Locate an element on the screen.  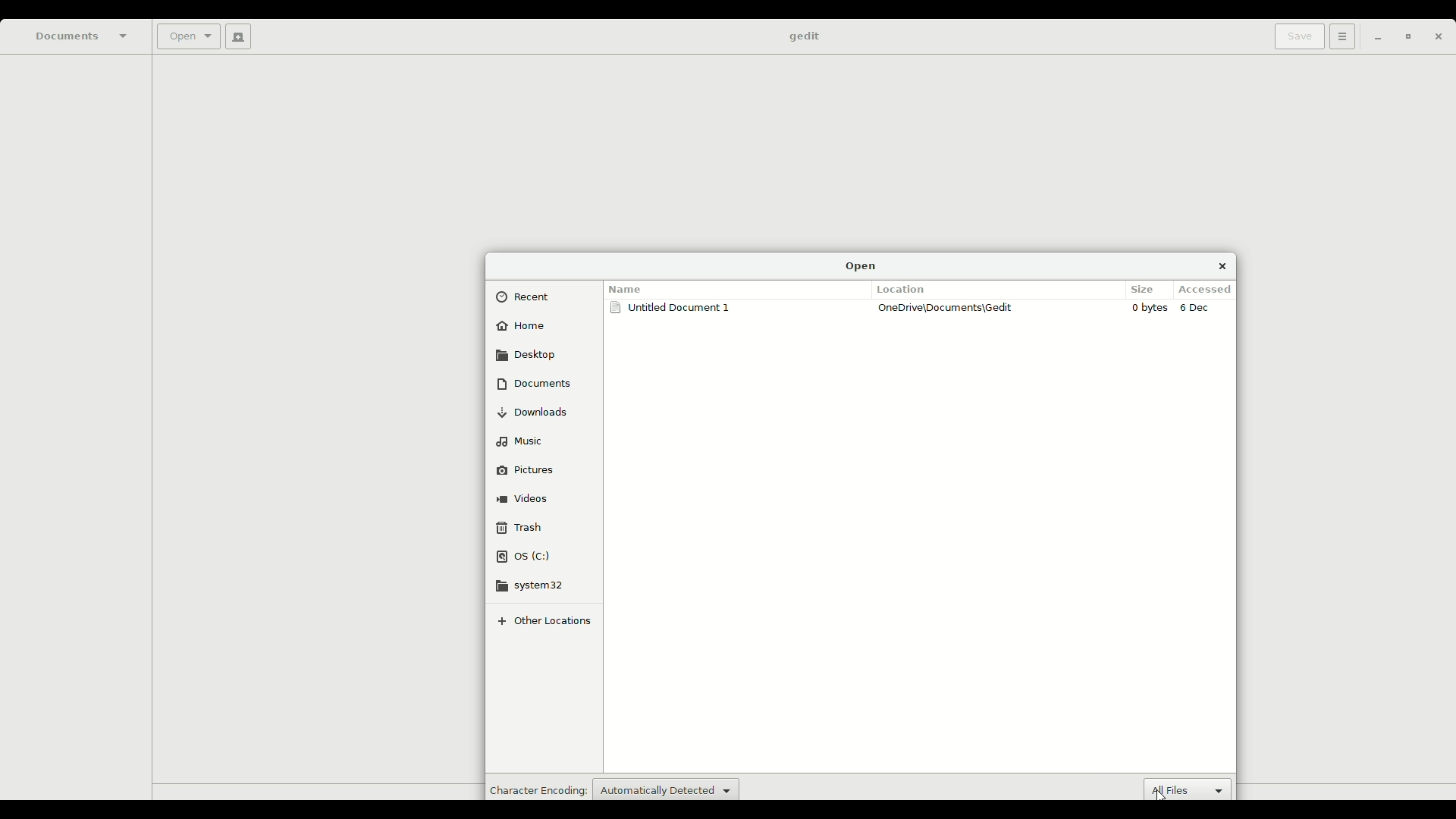
Trash is located at coordinates (520, 527).